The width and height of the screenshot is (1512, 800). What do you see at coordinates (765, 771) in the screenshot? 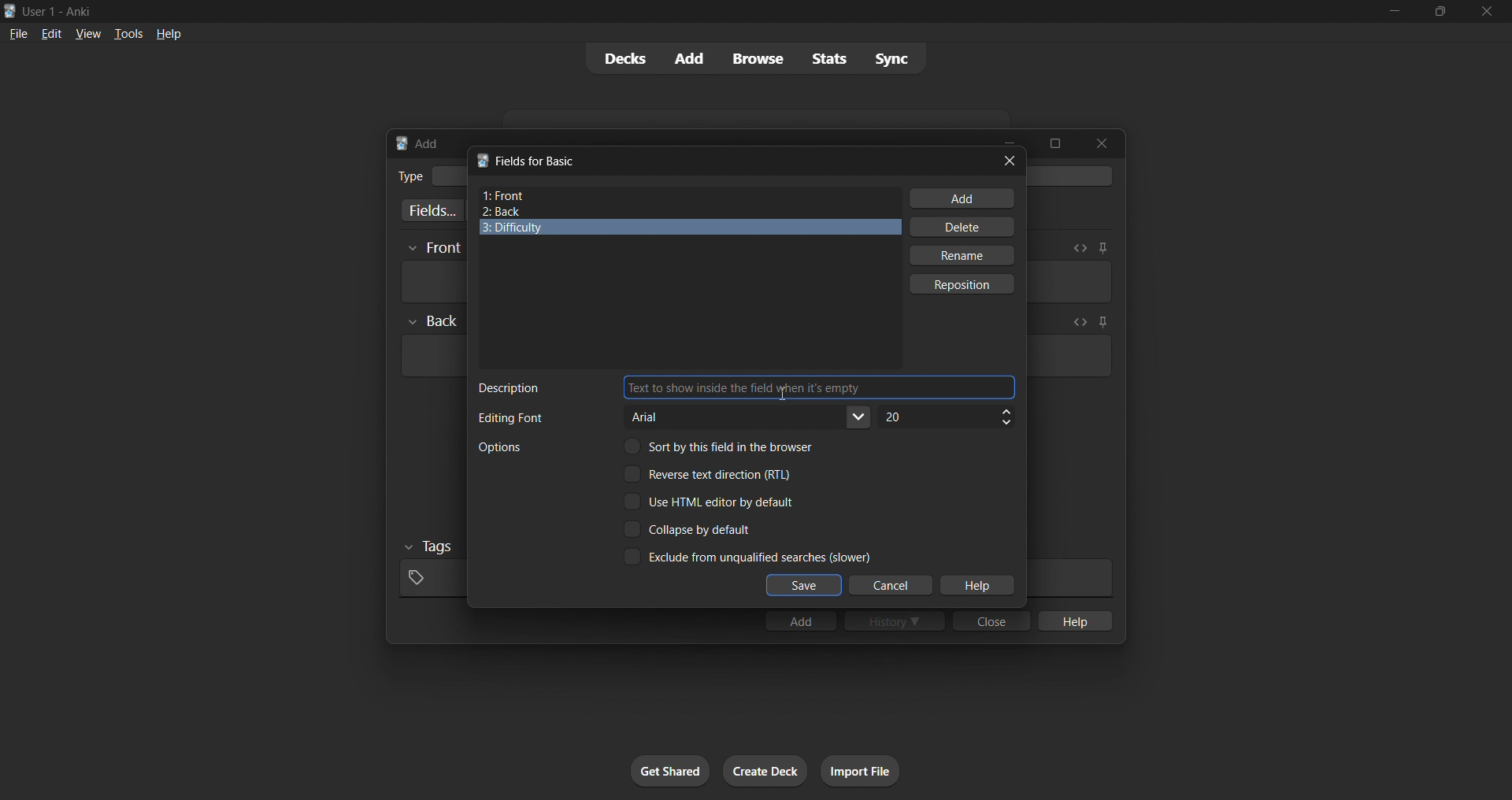
I see `create deck` at bounding box center [765, 771].